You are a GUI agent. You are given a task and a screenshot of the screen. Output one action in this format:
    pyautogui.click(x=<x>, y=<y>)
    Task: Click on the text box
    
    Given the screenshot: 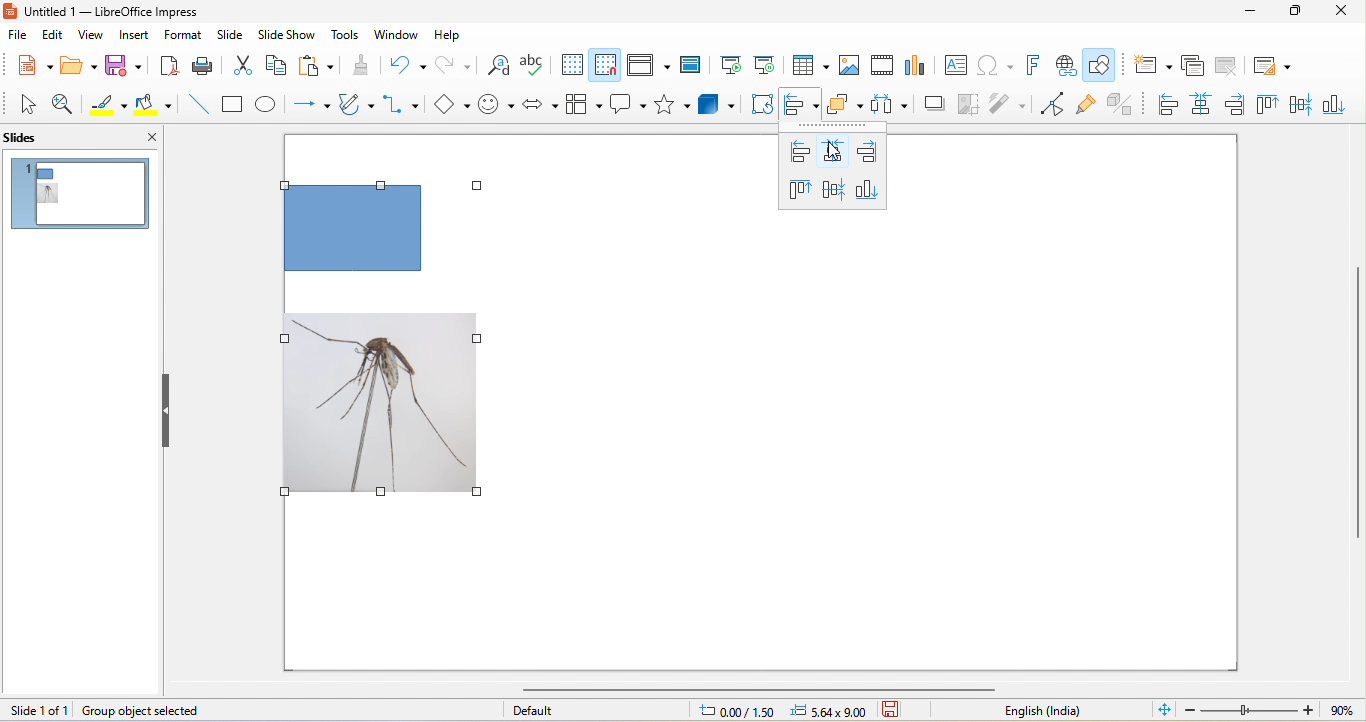 What is the action you would take?
    pyautogui.click(x=954, y=65)
    